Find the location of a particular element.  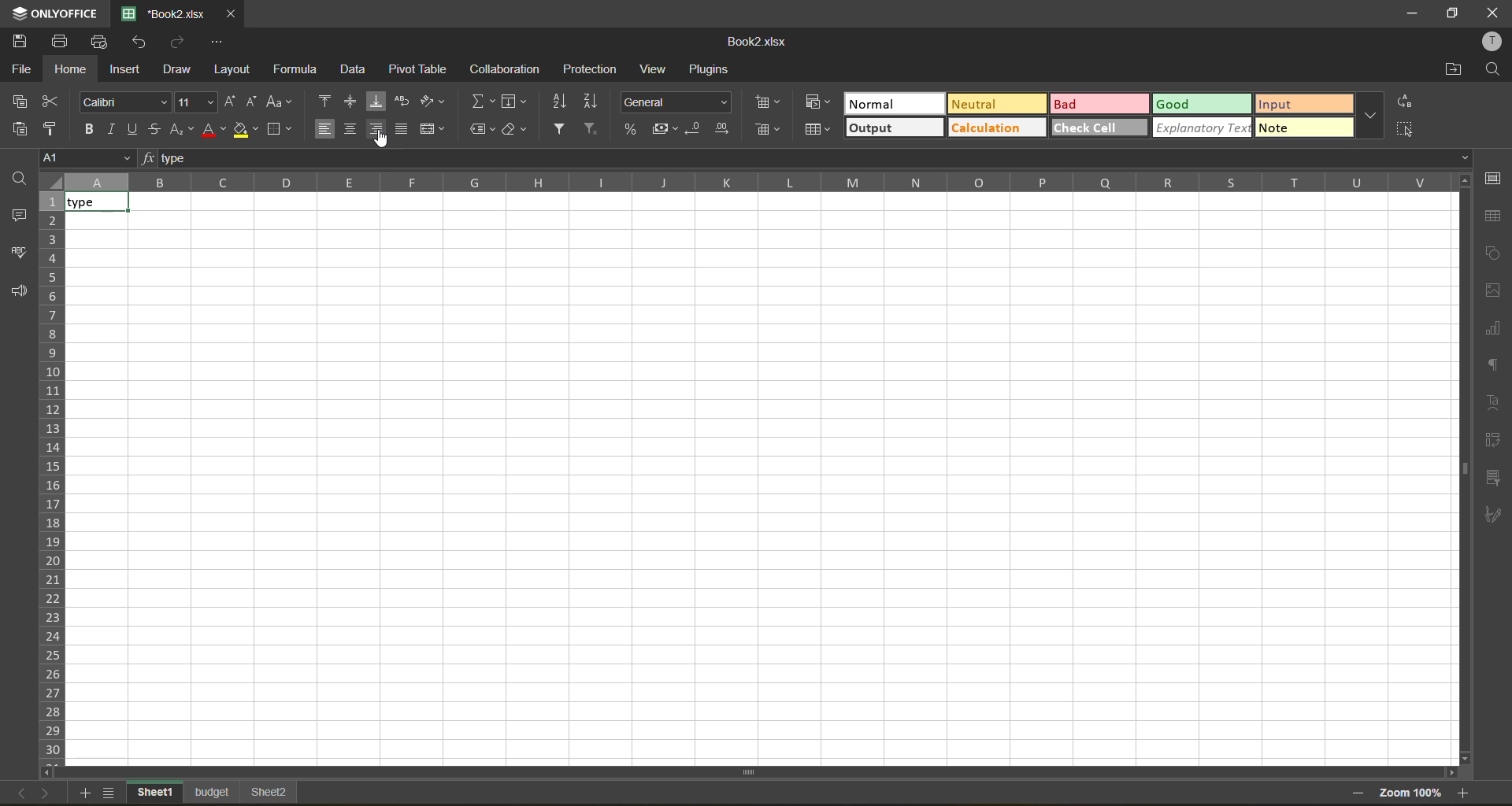

images is located at coordinates (1494, 291).